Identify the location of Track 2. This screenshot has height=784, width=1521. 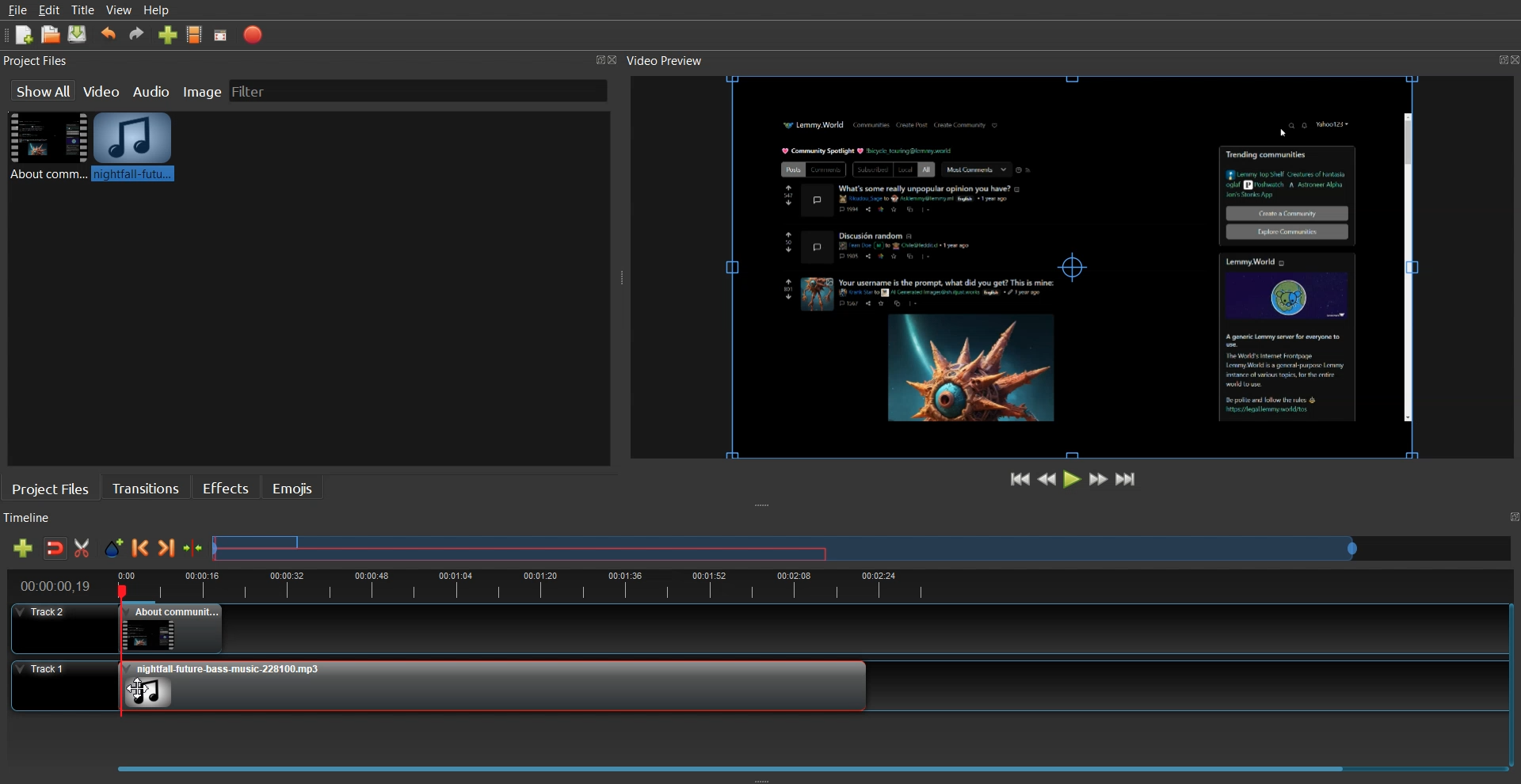
(747, 629).